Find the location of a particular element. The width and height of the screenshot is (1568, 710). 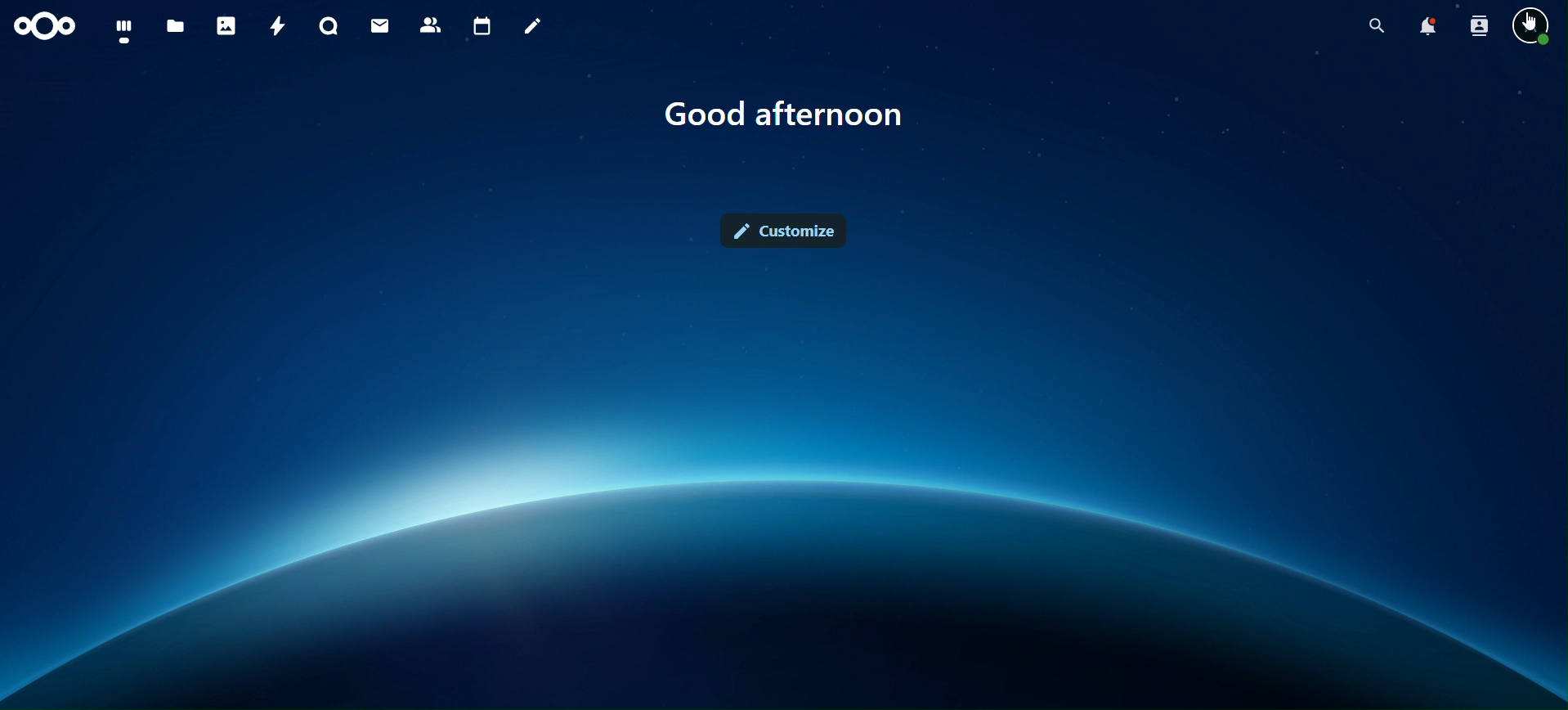

good afternon is located at coordinates (787, 118).